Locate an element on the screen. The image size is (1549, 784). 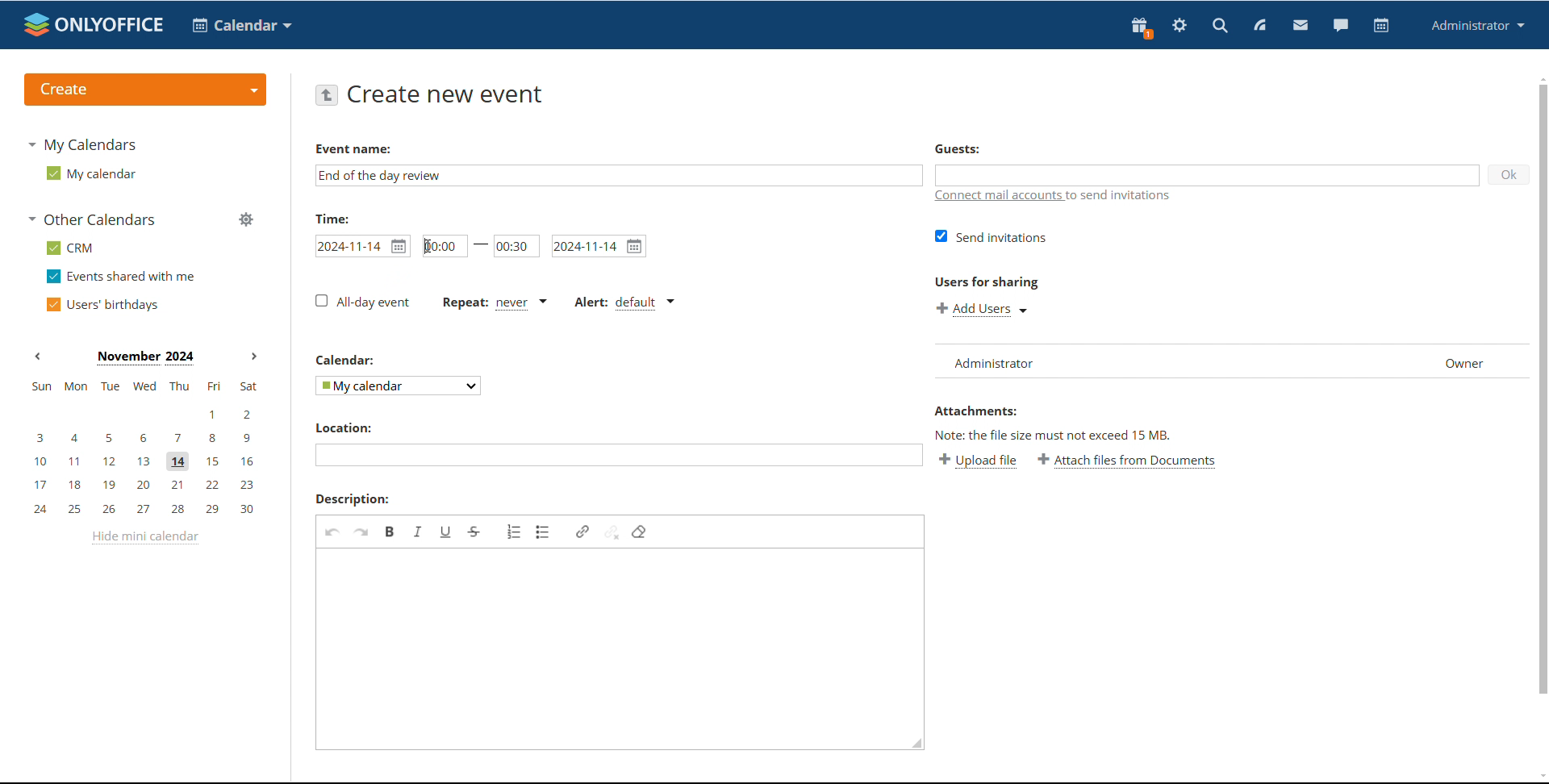
previous month is located at coordinates (37, 355).